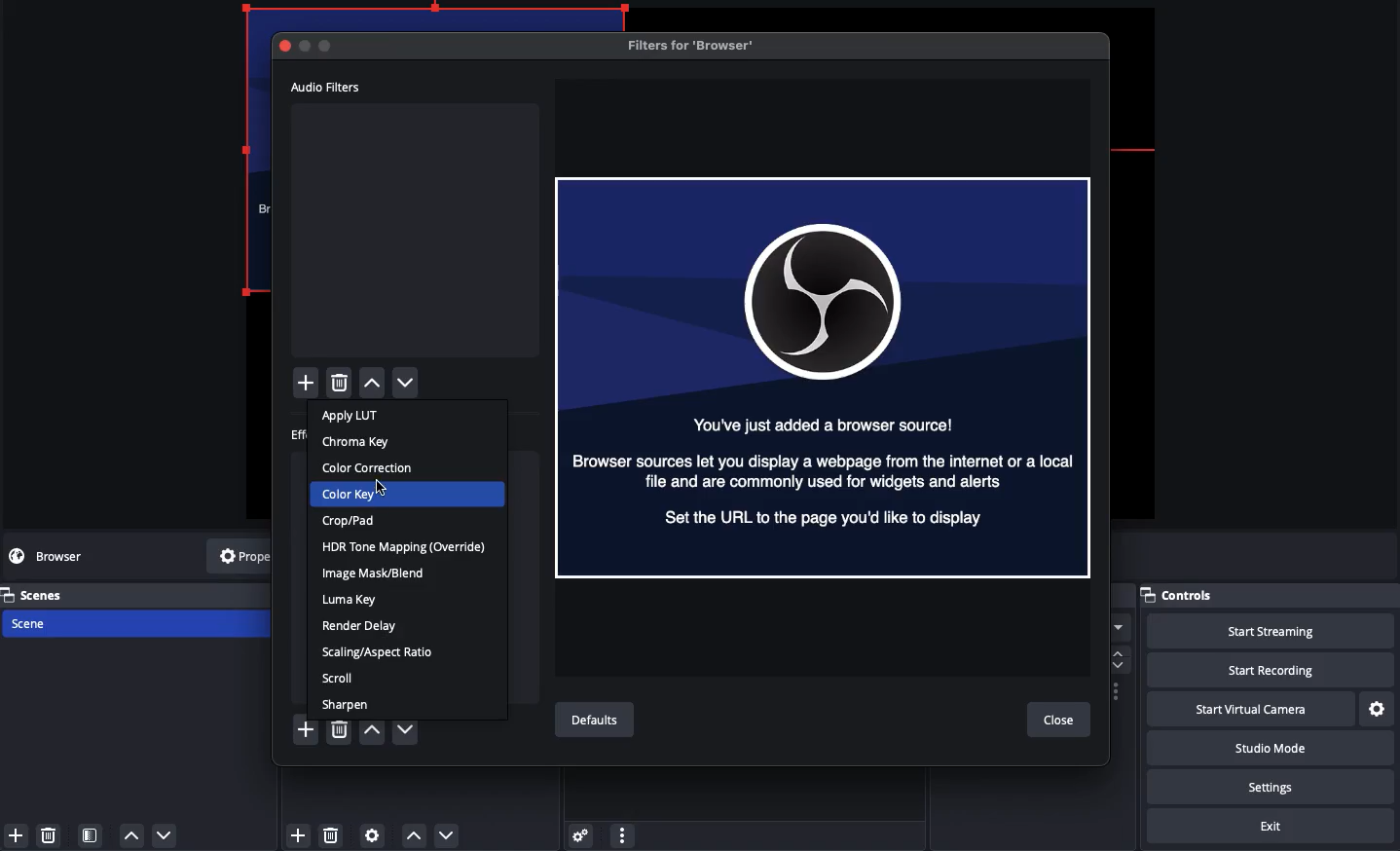 This screenshot has width=1400, height=851. Describe the element at coordinates (374, 573) in the screenshot. I see `Image mask blend` at that location.